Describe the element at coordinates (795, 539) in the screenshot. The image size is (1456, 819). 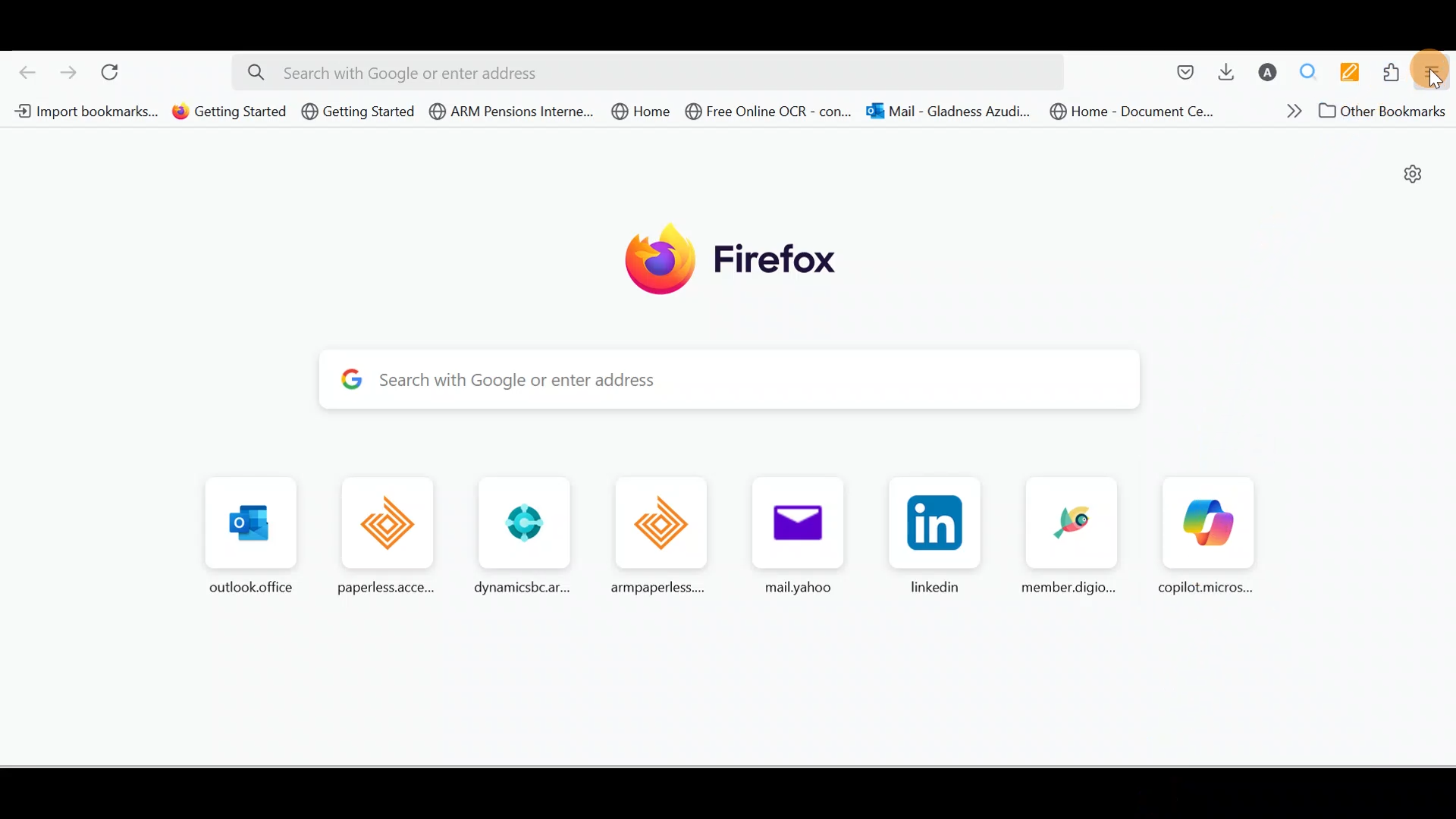
I see `mailyahoo` at that location.